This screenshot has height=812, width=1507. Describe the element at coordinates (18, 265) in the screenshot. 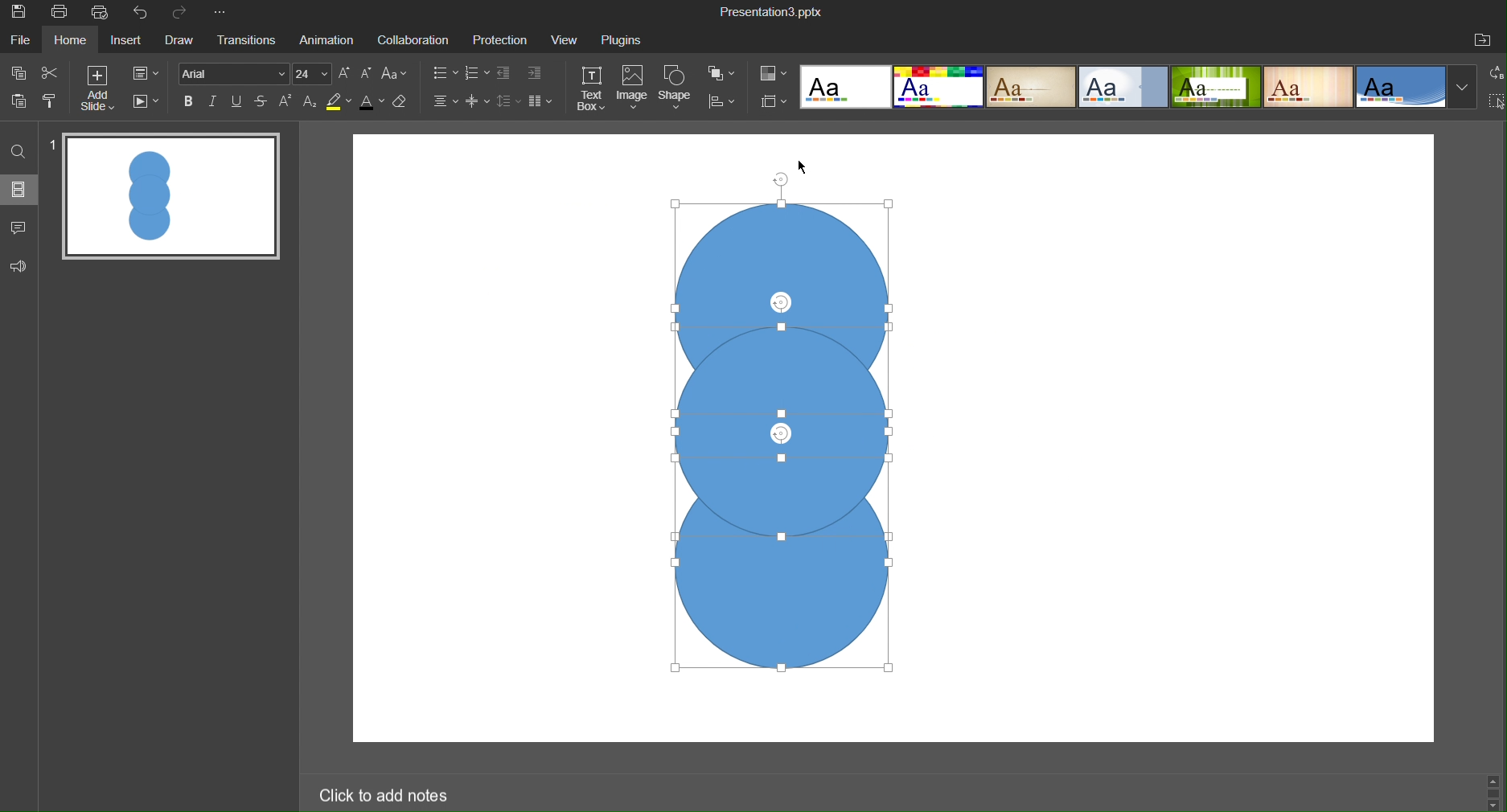

I see `Feedback and Support` at that location.